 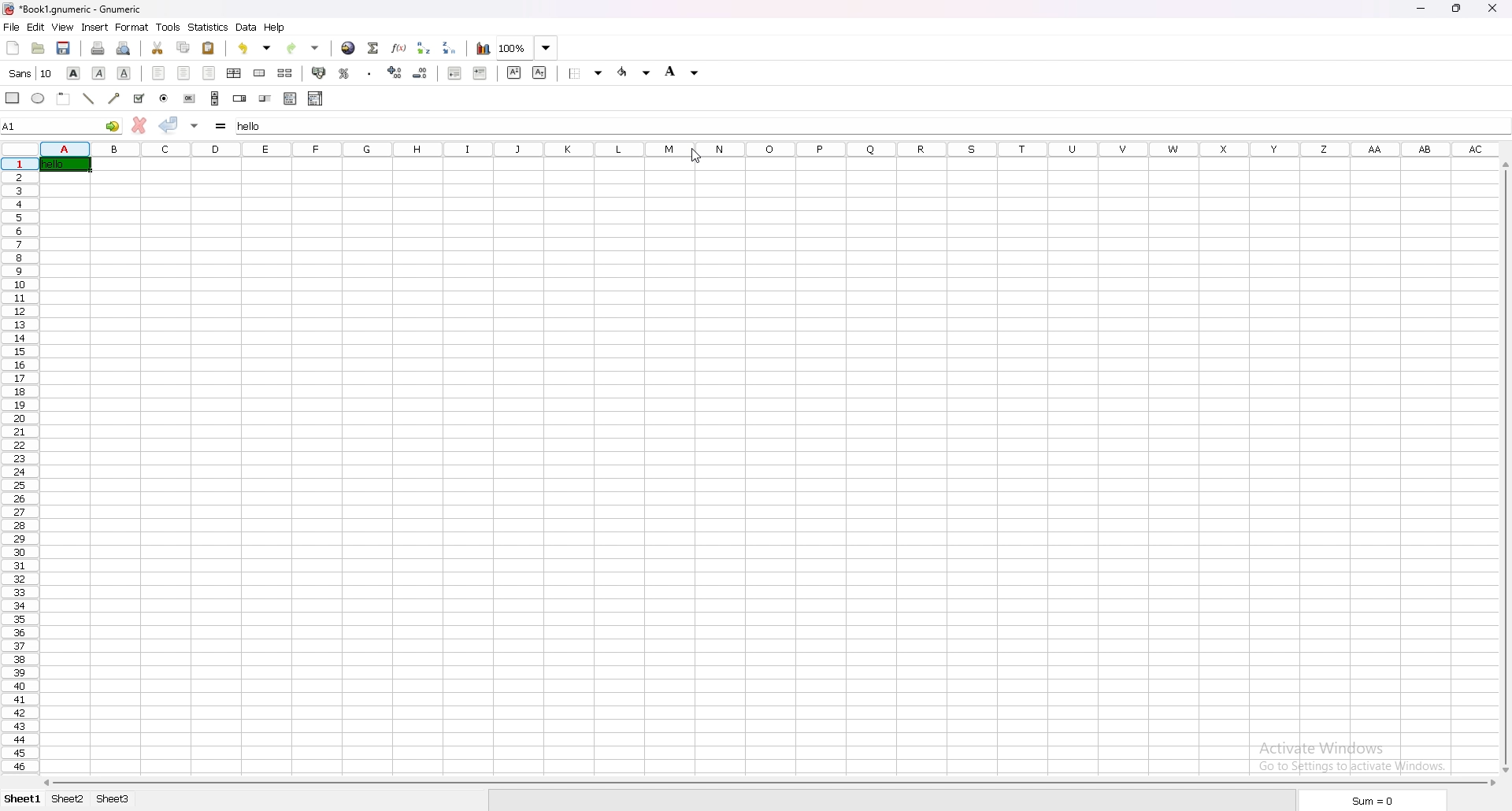 I want to click on edit, so click(x=36, y=27).